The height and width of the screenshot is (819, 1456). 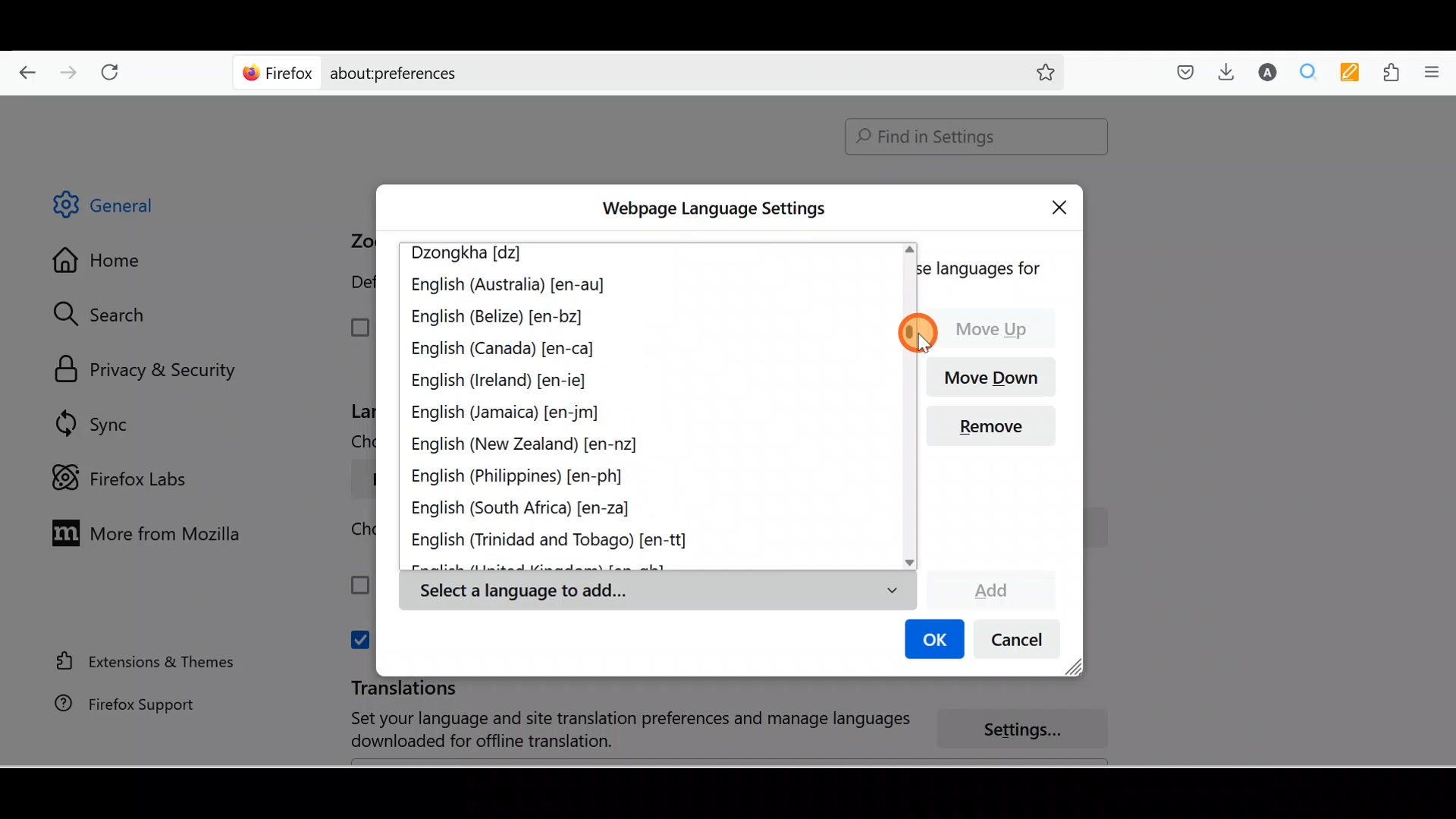 What do you see at coordinates (1031, 730) in the screenshot?
I see `Settings` at bounding box center [1031, 730].